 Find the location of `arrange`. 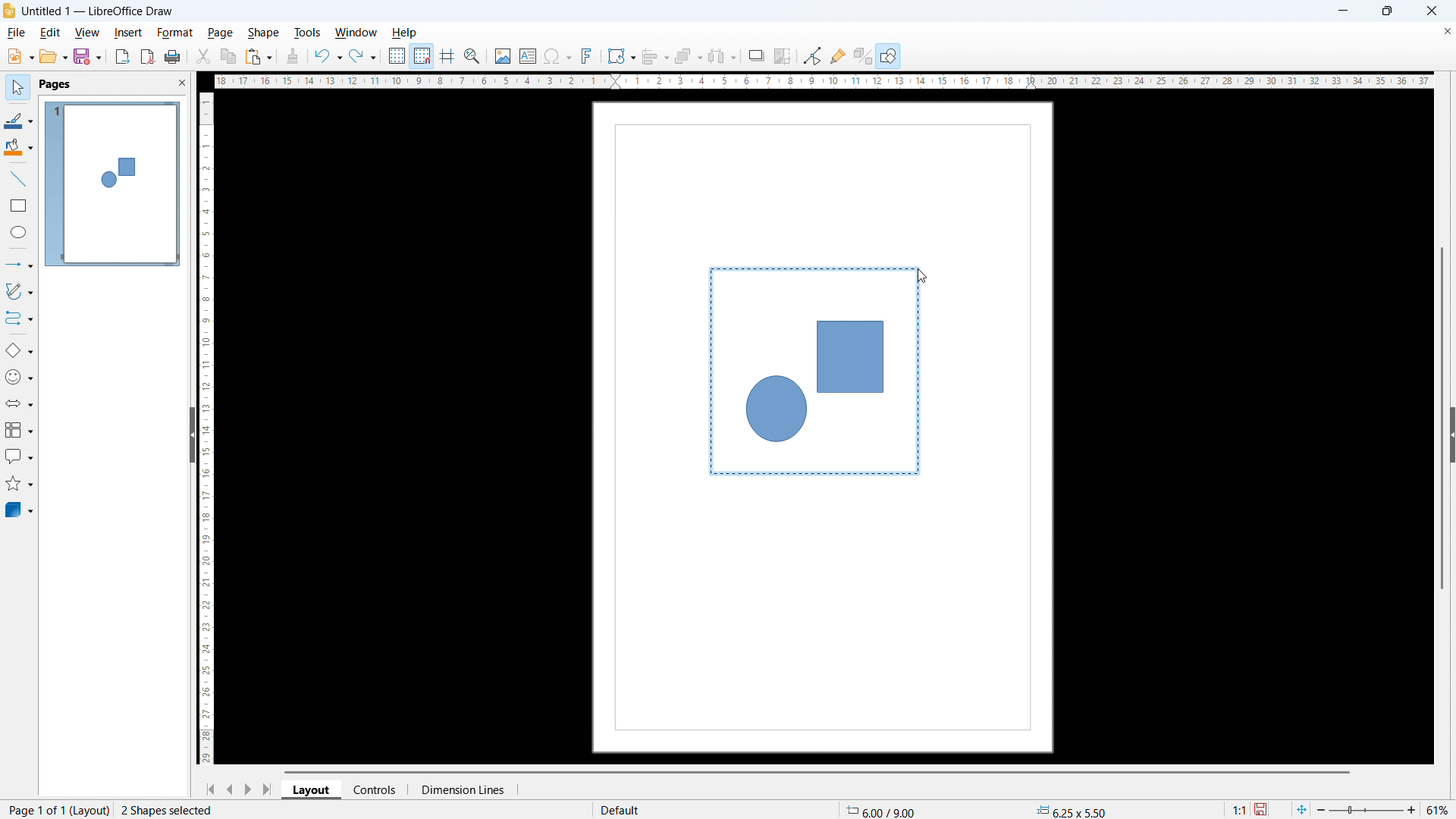

arrange is located at coordinates (687, 57).